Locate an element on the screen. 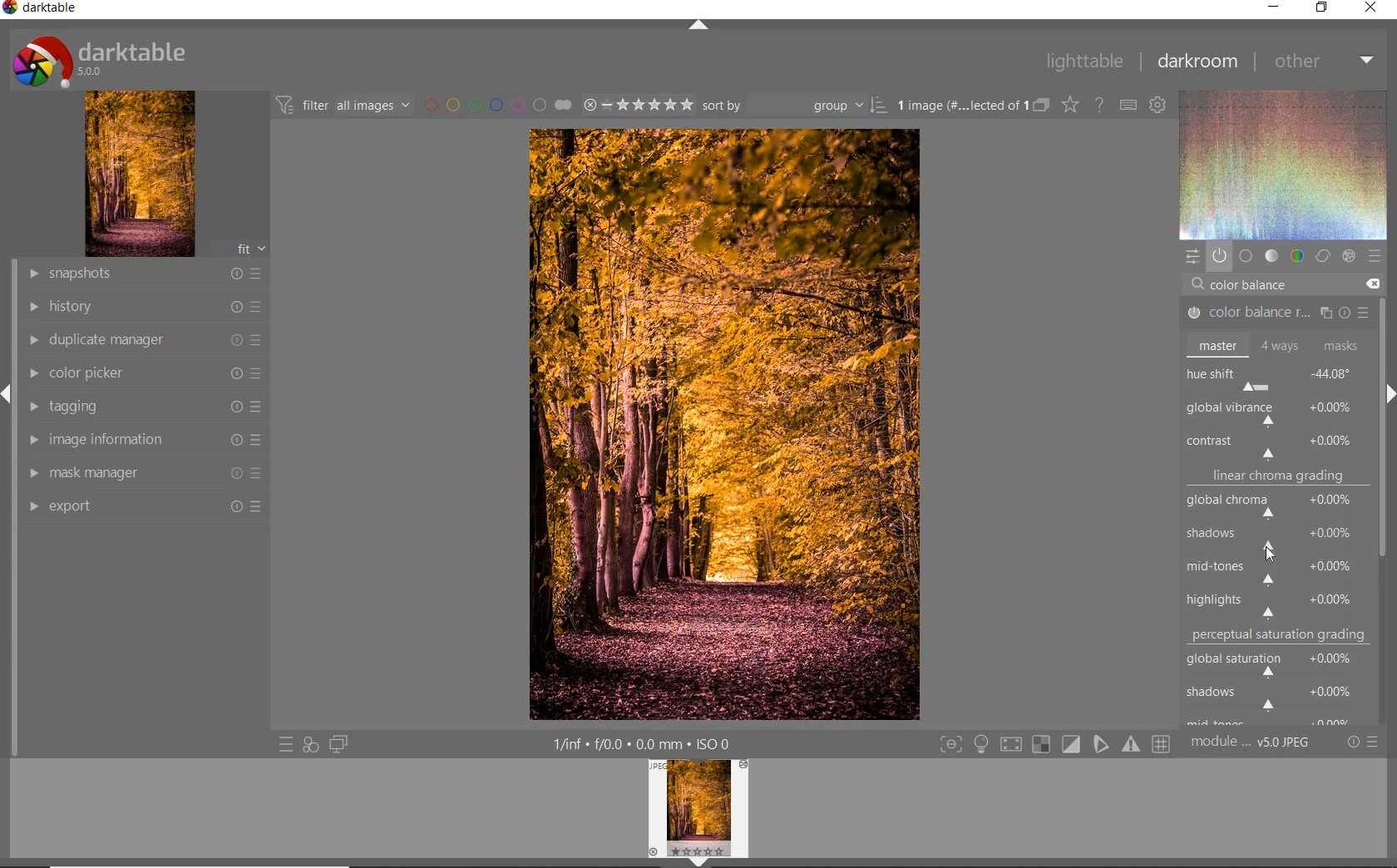 The image size is (1397, 868). quick access for applying any style is located at coordinates (311, 745).